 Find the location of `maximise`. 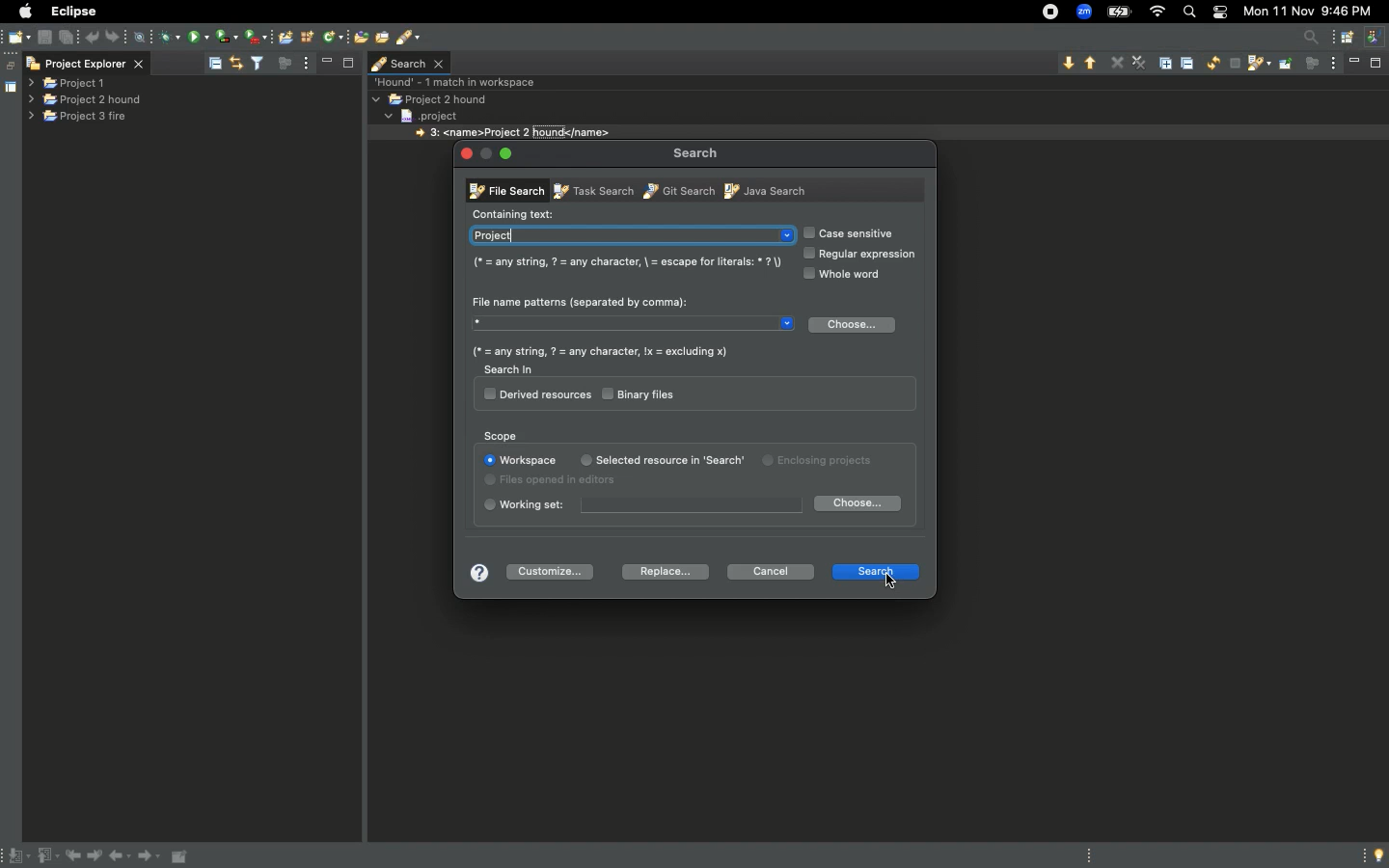

maximise is located at coordinates (347, 66).